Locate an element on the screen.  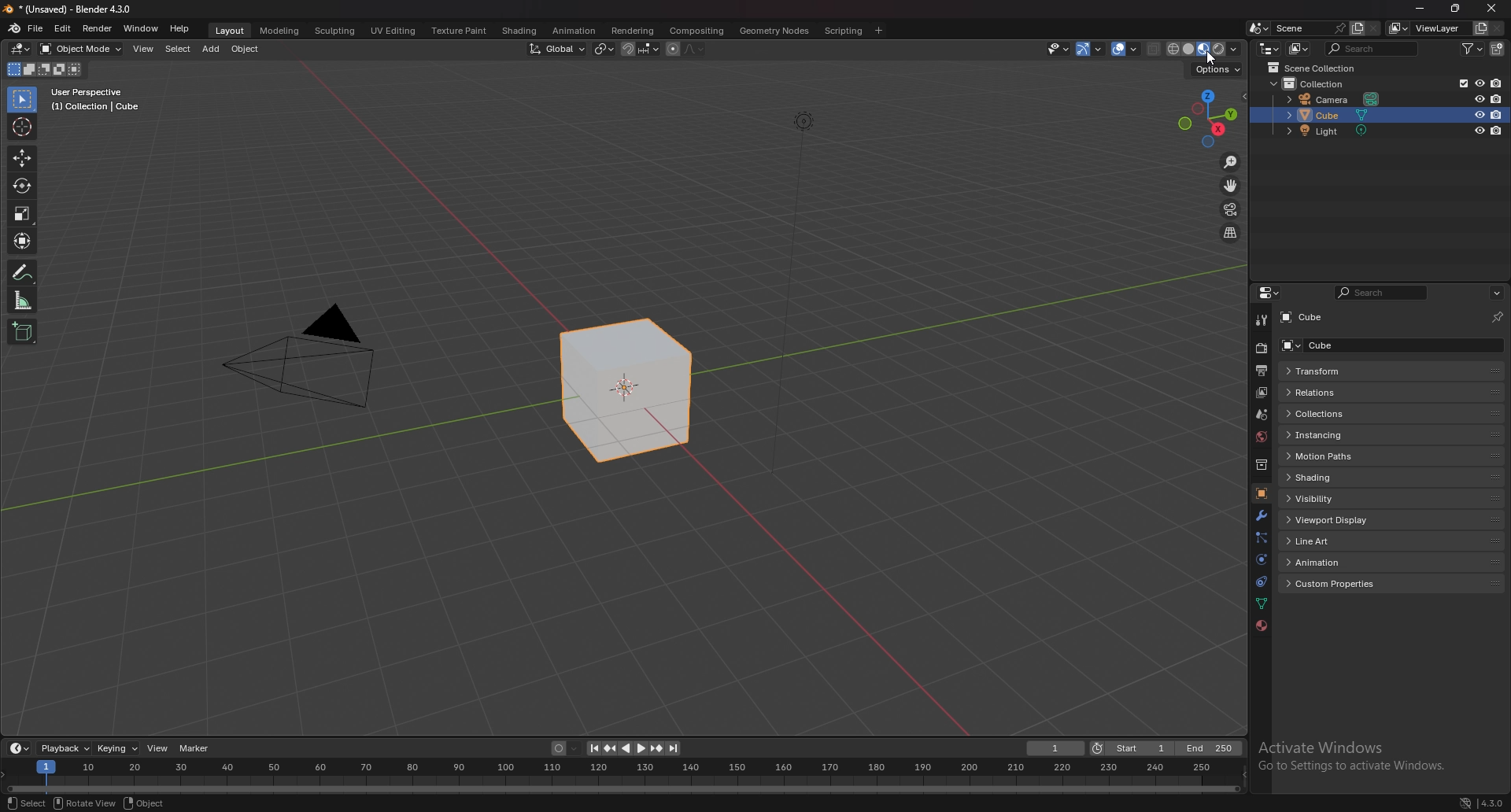
mode is located at coordinates (46, 69).